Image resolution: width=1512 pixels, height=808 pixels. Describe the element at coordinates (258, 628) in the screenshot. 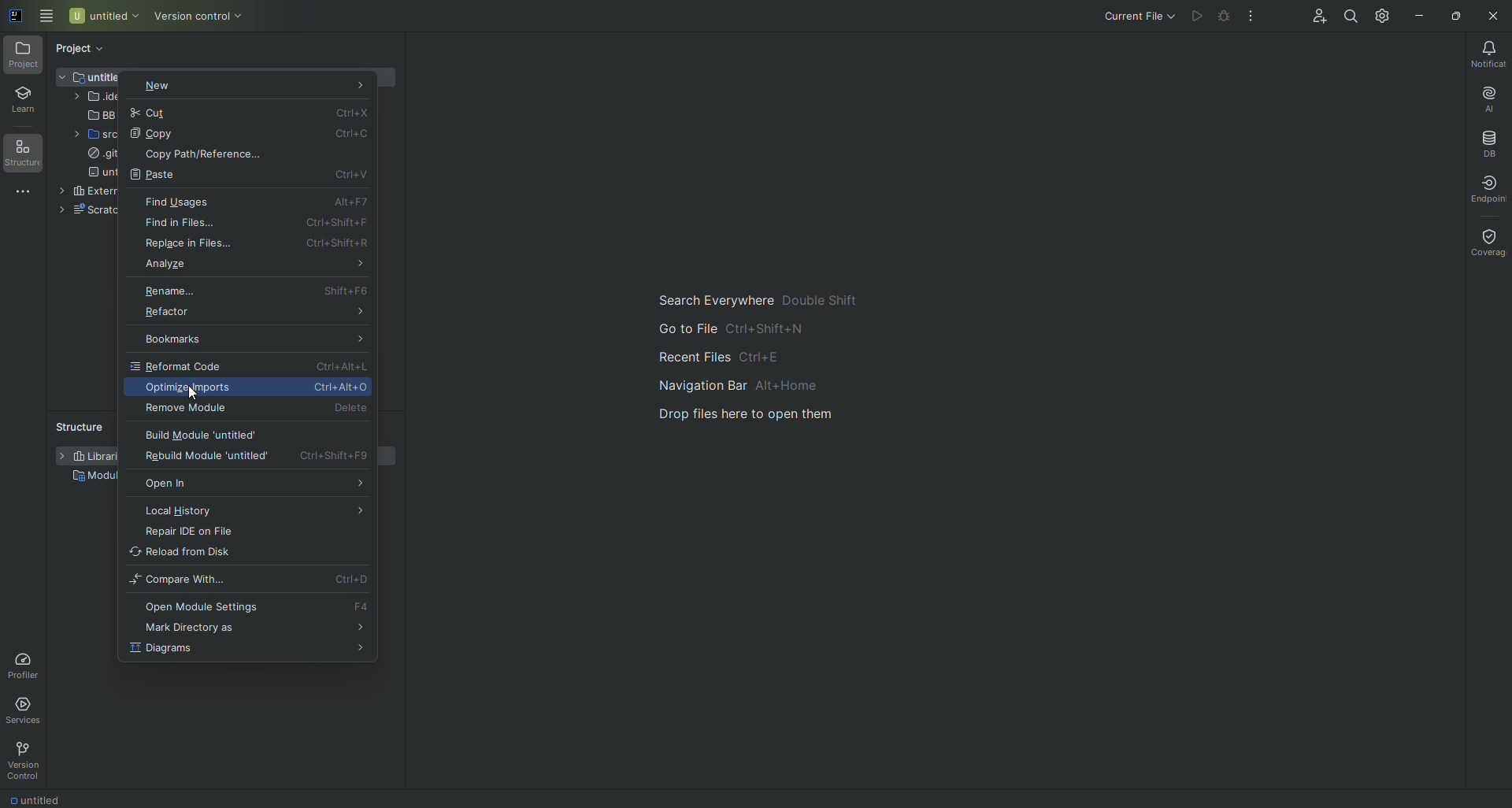

I see `Mark Directory as` at that location.